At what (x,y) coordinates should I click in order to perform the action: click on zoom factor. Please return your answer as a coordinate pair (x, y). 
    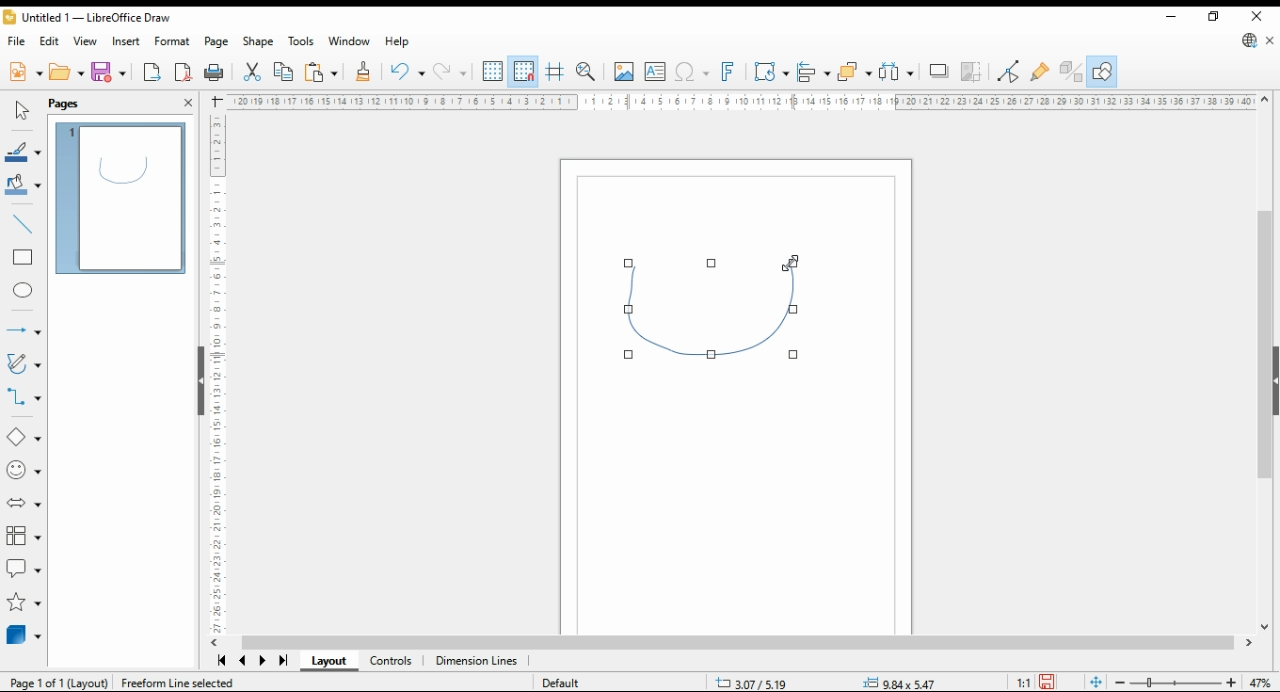
    Looking at the image, I should click on (1262, 682).